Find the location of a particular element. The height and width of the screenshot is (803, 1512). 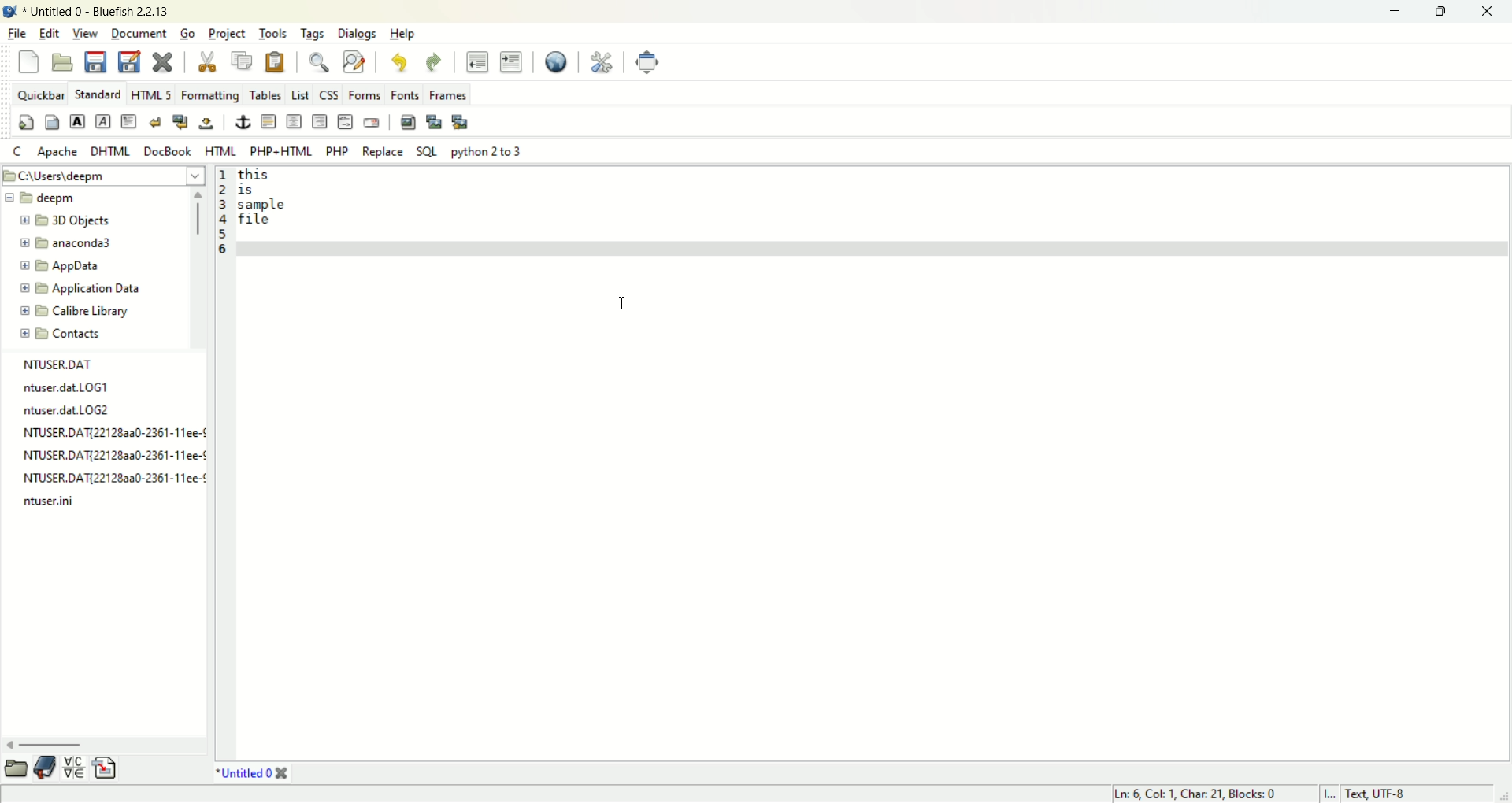

edit preferences is located at coordinates (606, 62).